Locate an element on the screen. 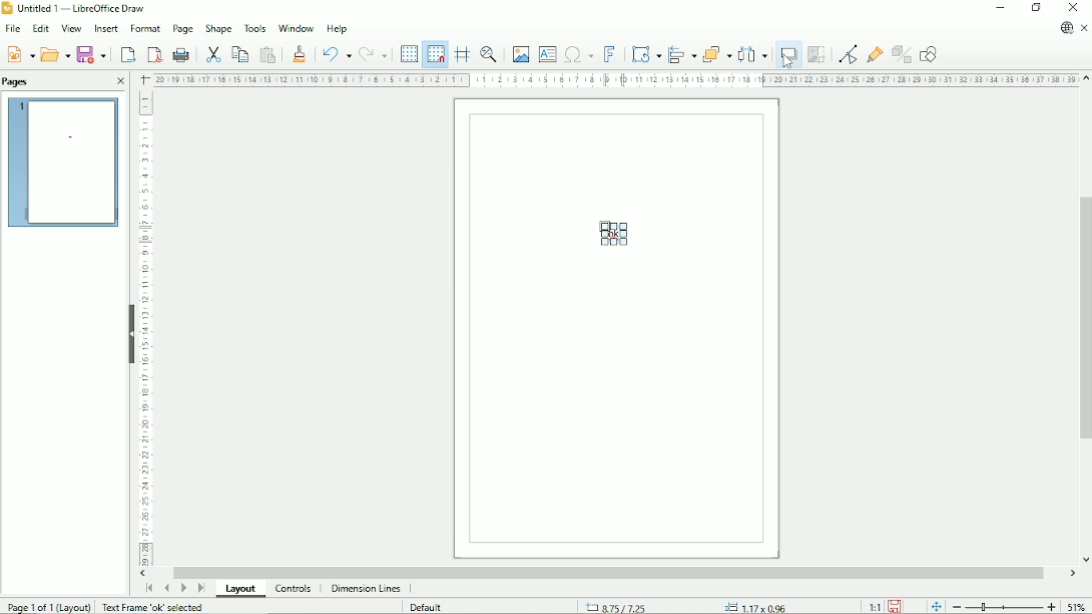  Horizontal scroll button is located at coordinates (1071, 573).